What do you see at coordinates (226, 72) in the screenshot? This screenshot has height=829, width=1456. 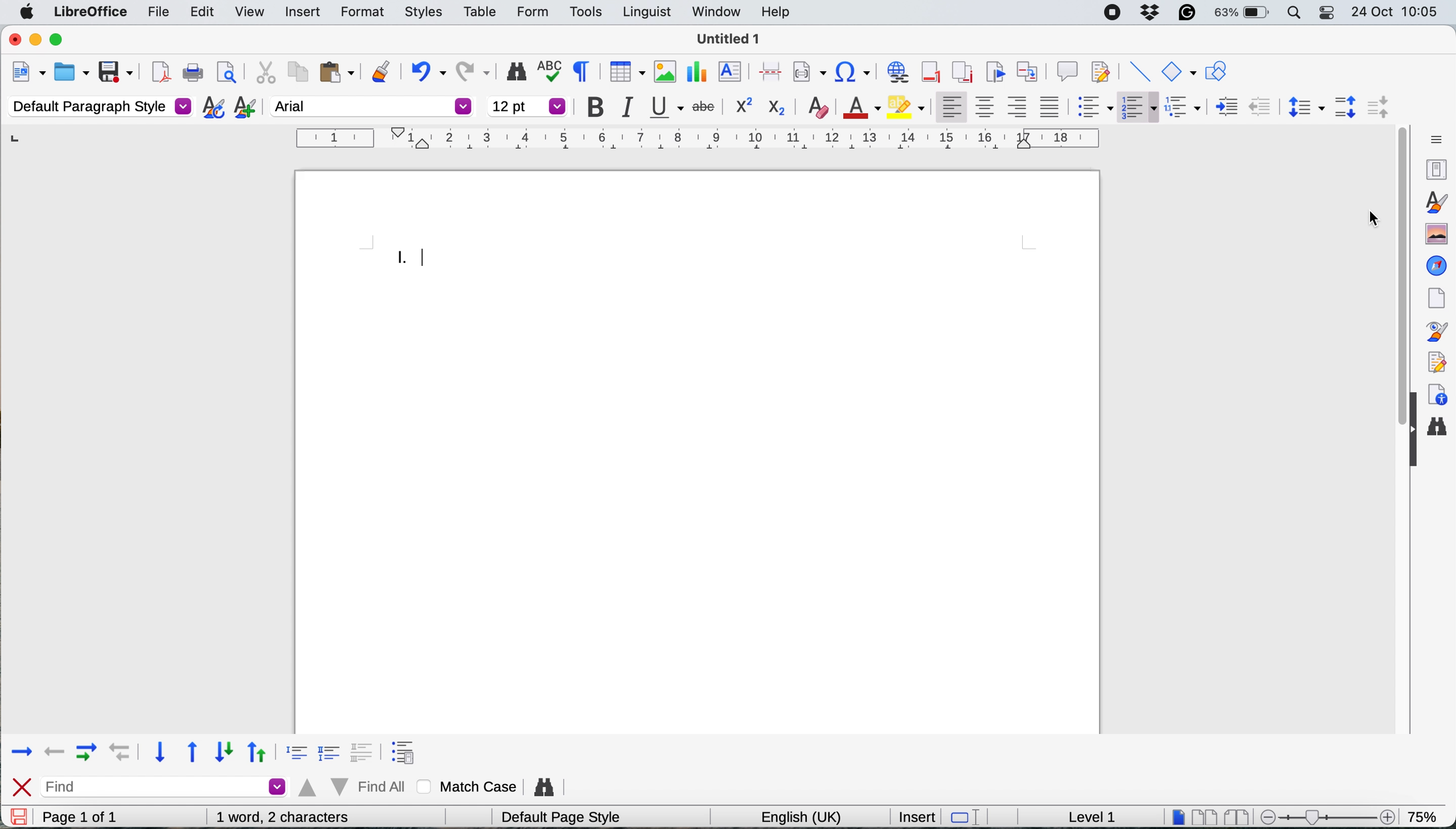 I see `print preview` at bounding box center [226, 72].